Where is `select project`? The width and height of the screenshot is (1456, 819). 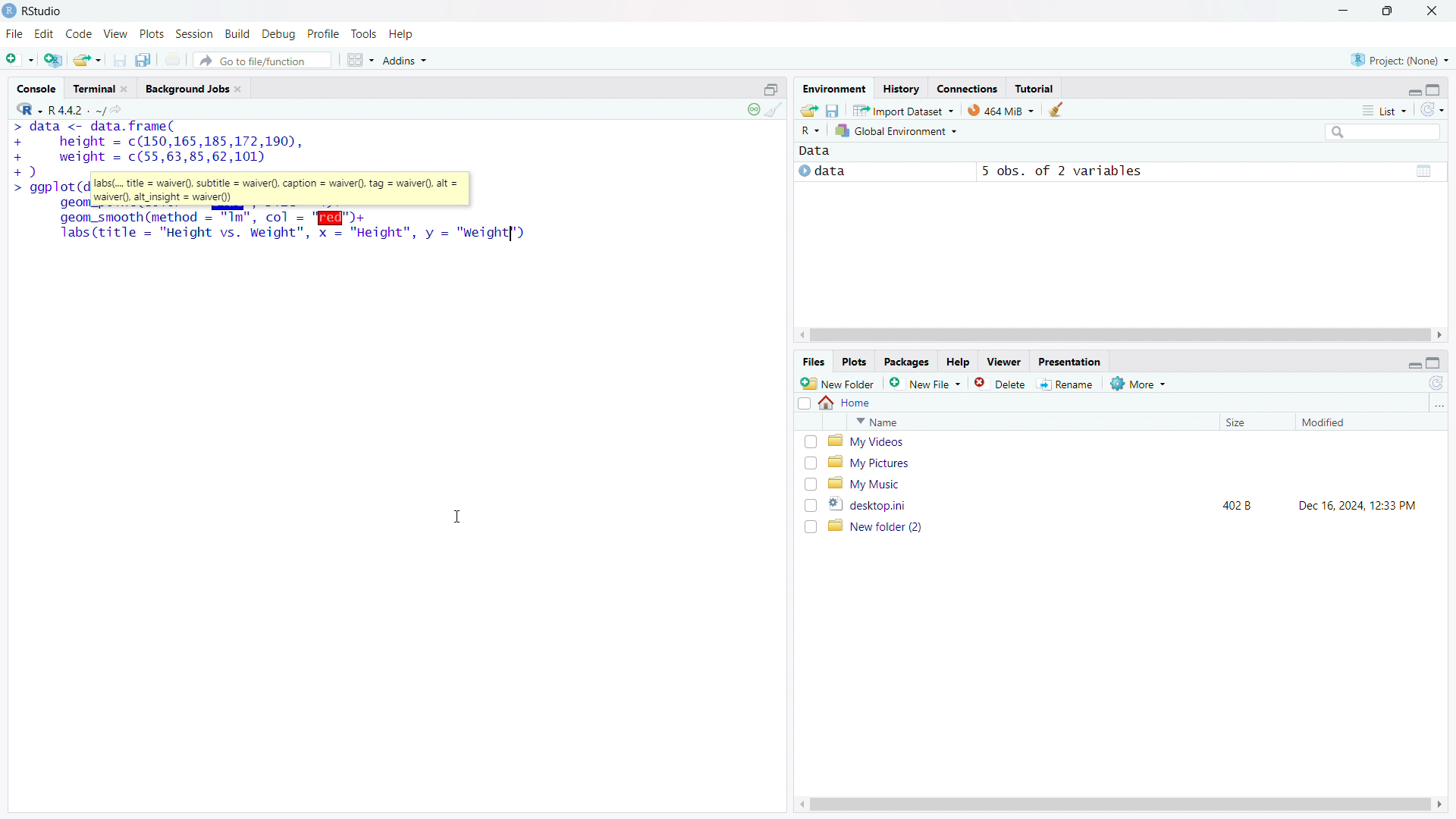 select project is located at coordinates (1400, 60).